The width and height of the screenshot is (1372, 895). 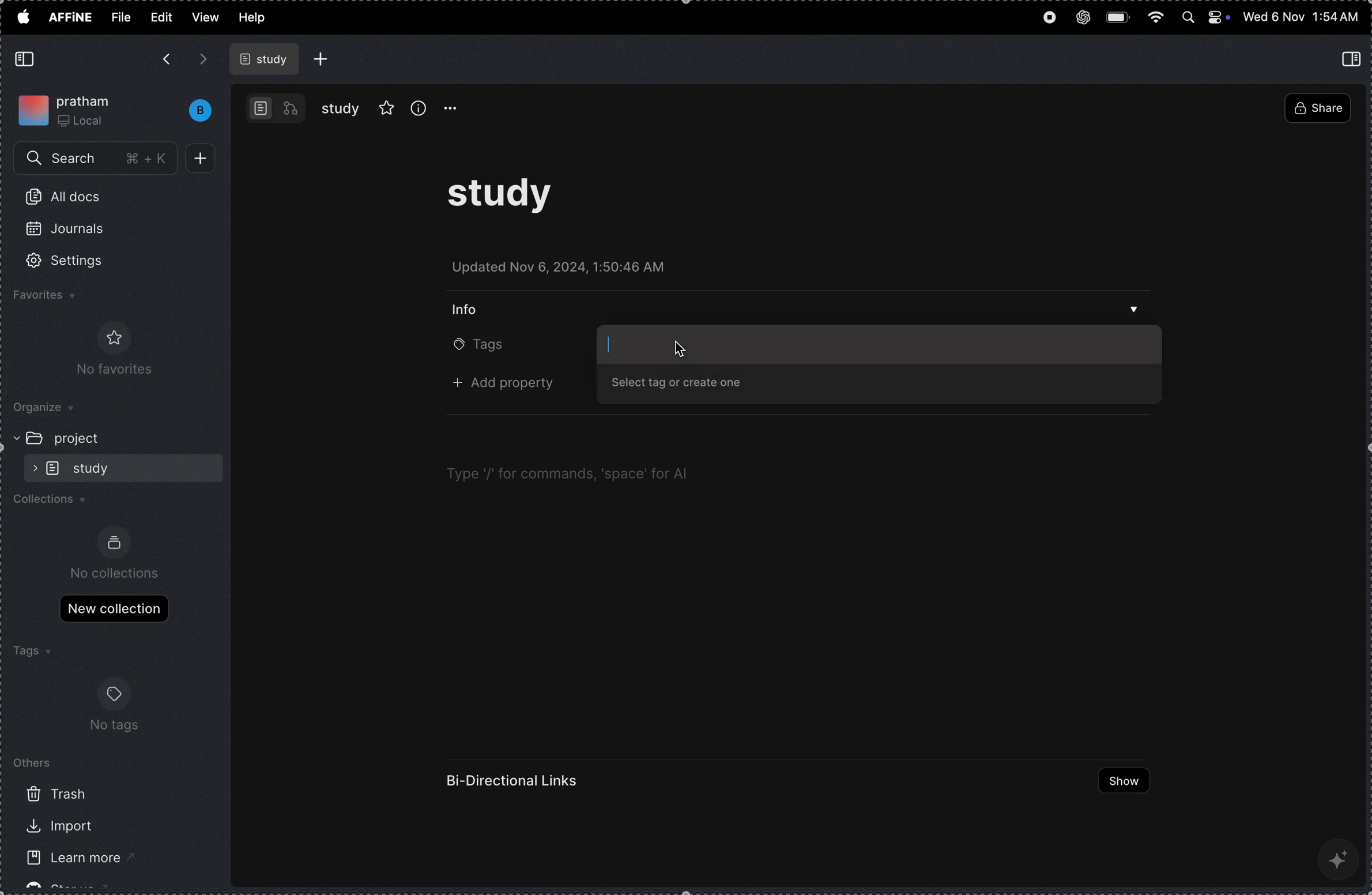 What do you see at coordinates (80, 261) in the screenshot?
I see `settings` at bounding box center [80, 261].